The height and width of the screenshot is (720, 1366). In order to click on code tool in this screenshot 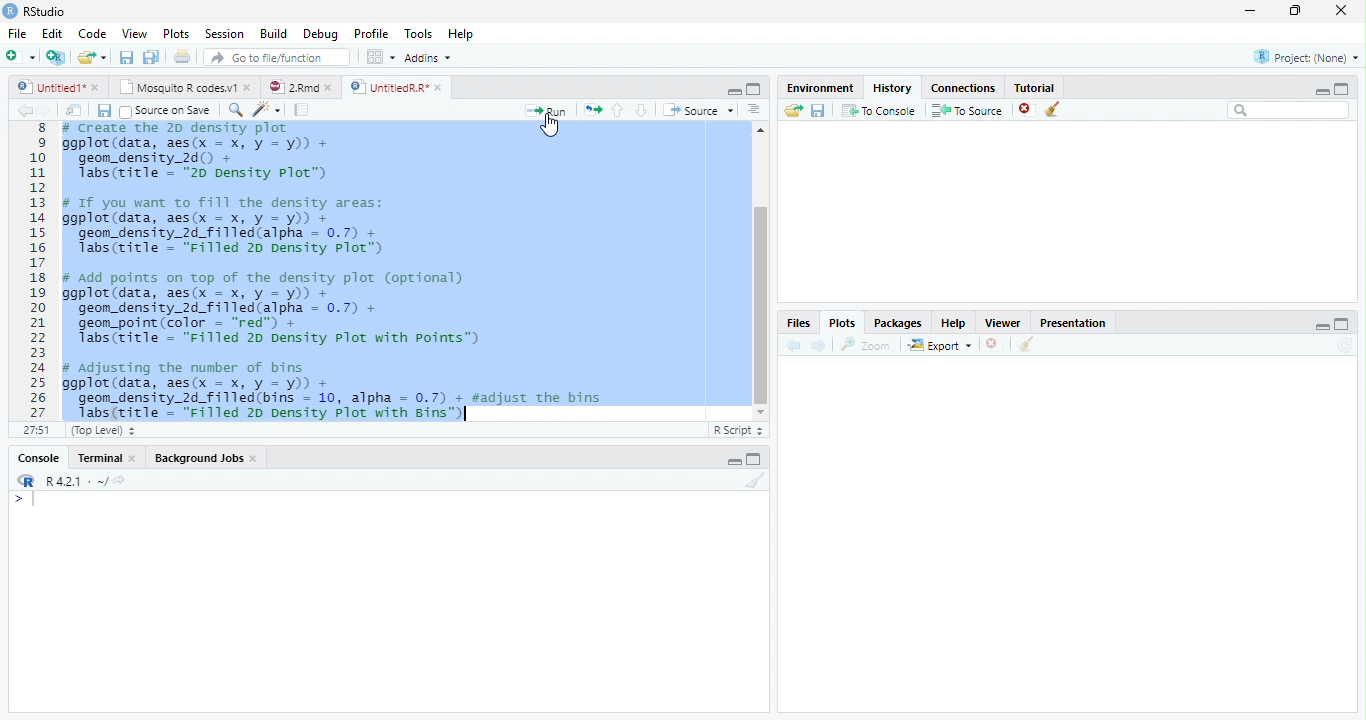, I will do `click(266, 110)`.